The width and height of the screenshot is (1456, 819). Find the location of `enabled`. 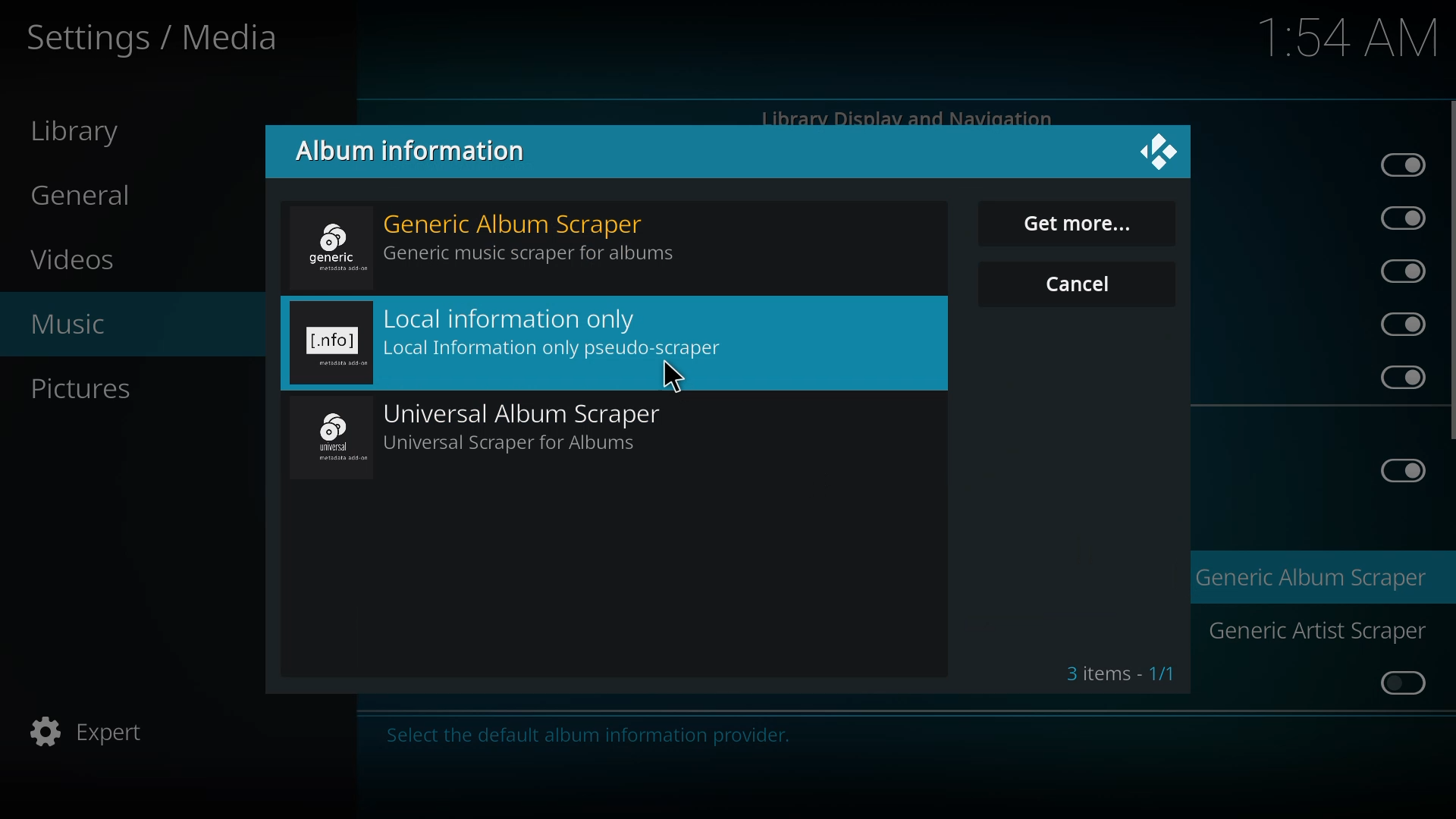

enabled is located at coordinates (1397, 162).